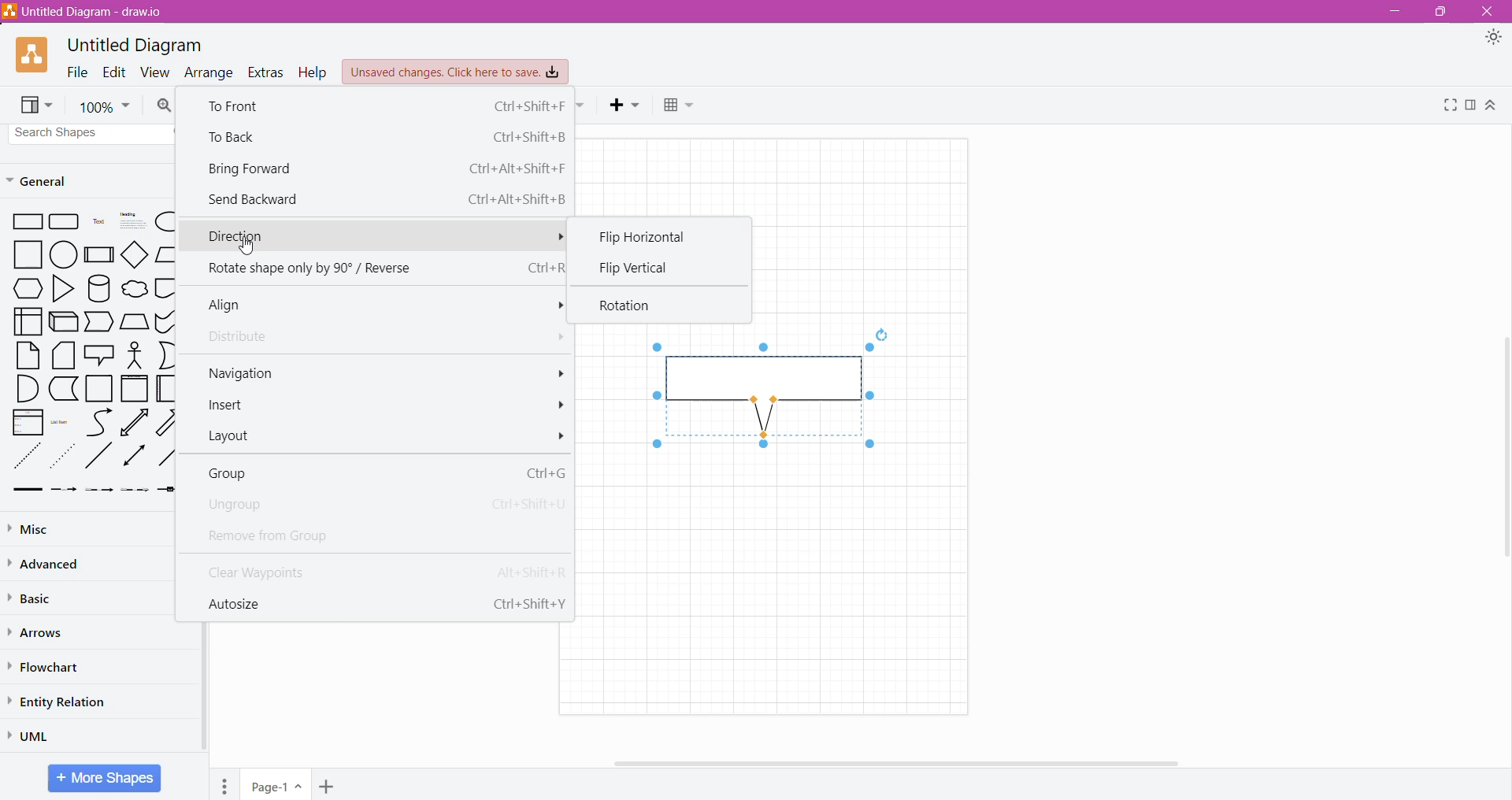  I want to click on Rightward Thick Arrow, so click(167, 455).